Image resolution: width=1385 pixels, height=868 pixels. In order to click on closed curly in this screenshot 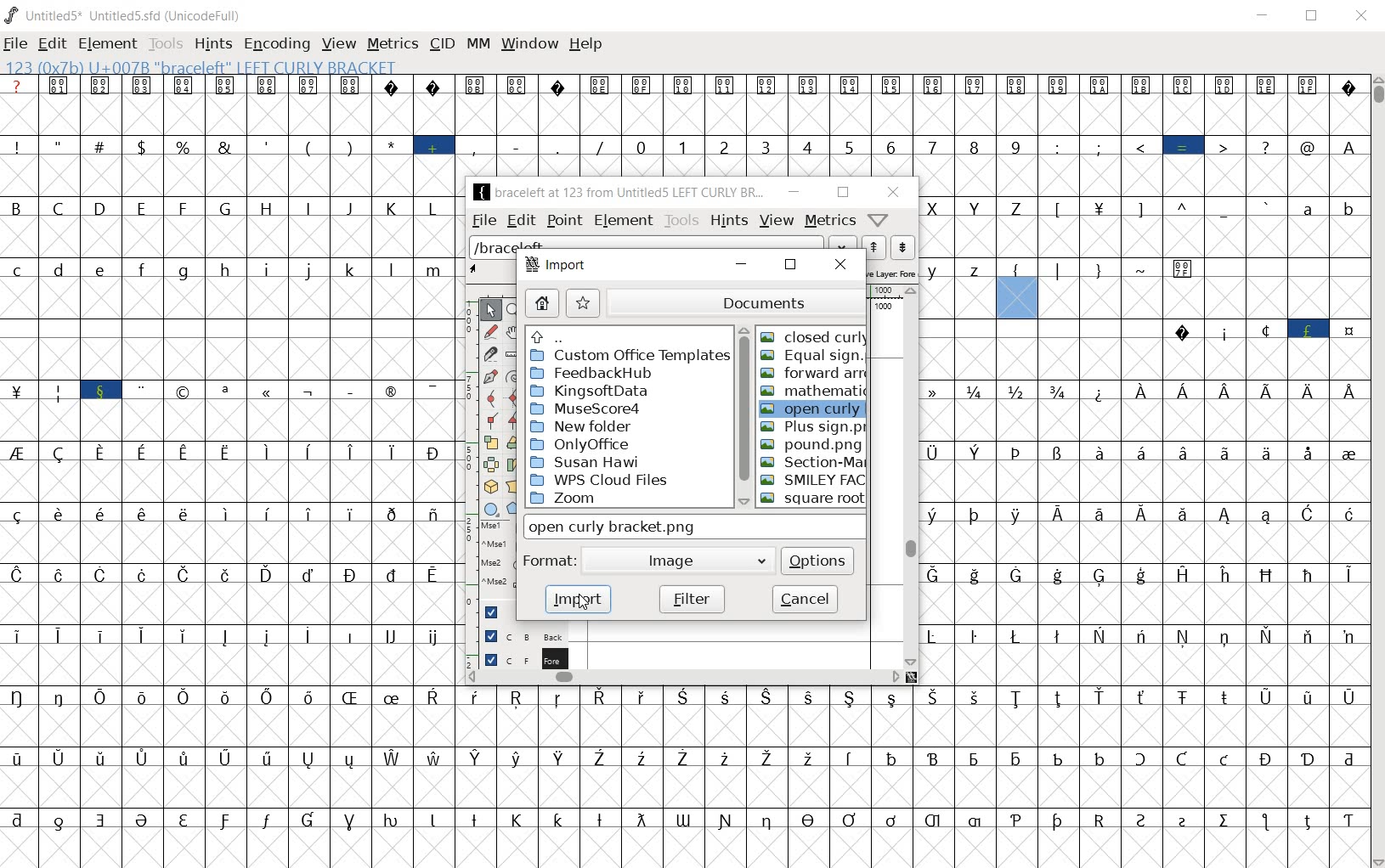, I will do `click(812, 336)`.